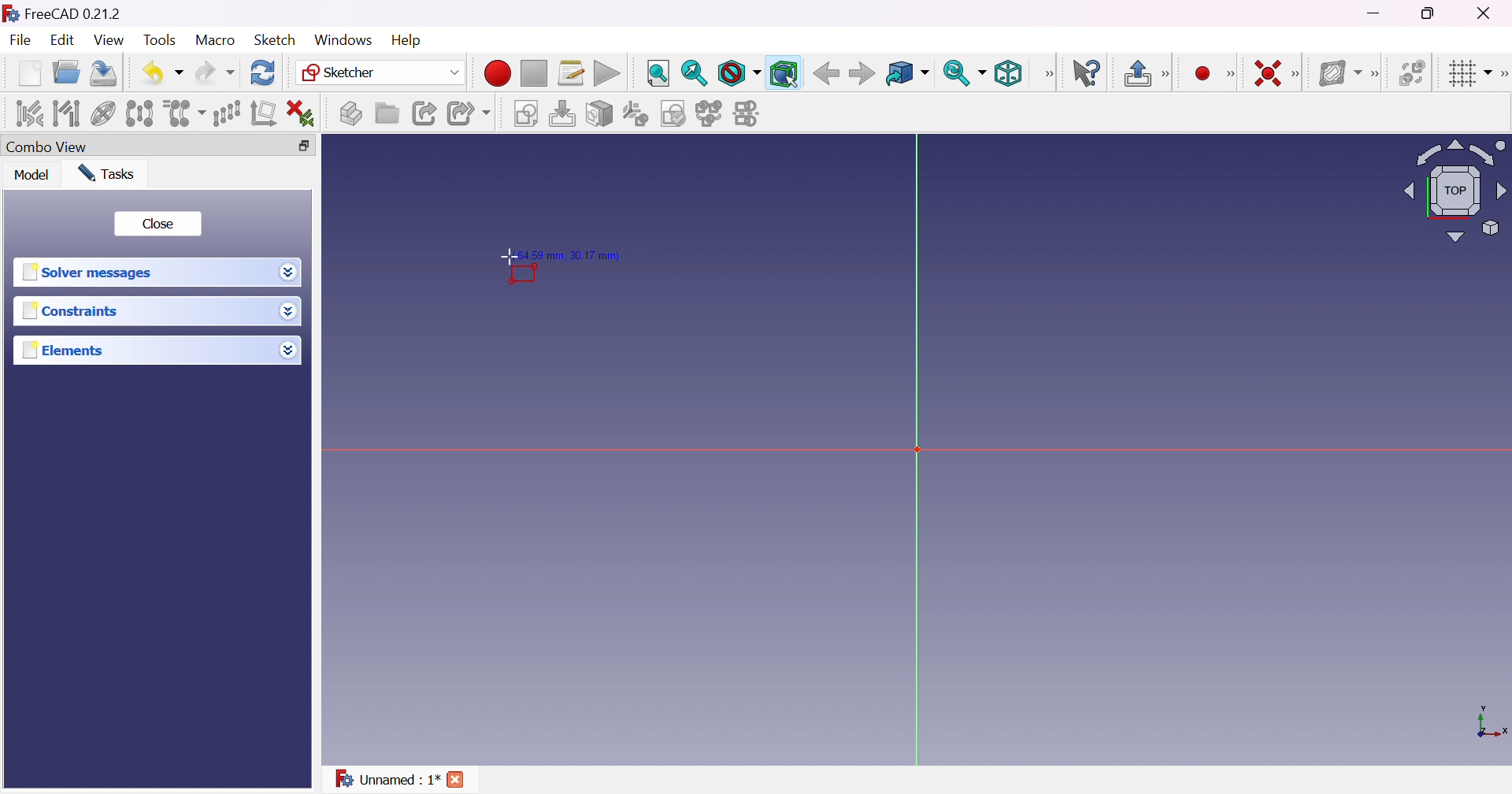  I want to click on Toggle grid, so click(1466, 74).